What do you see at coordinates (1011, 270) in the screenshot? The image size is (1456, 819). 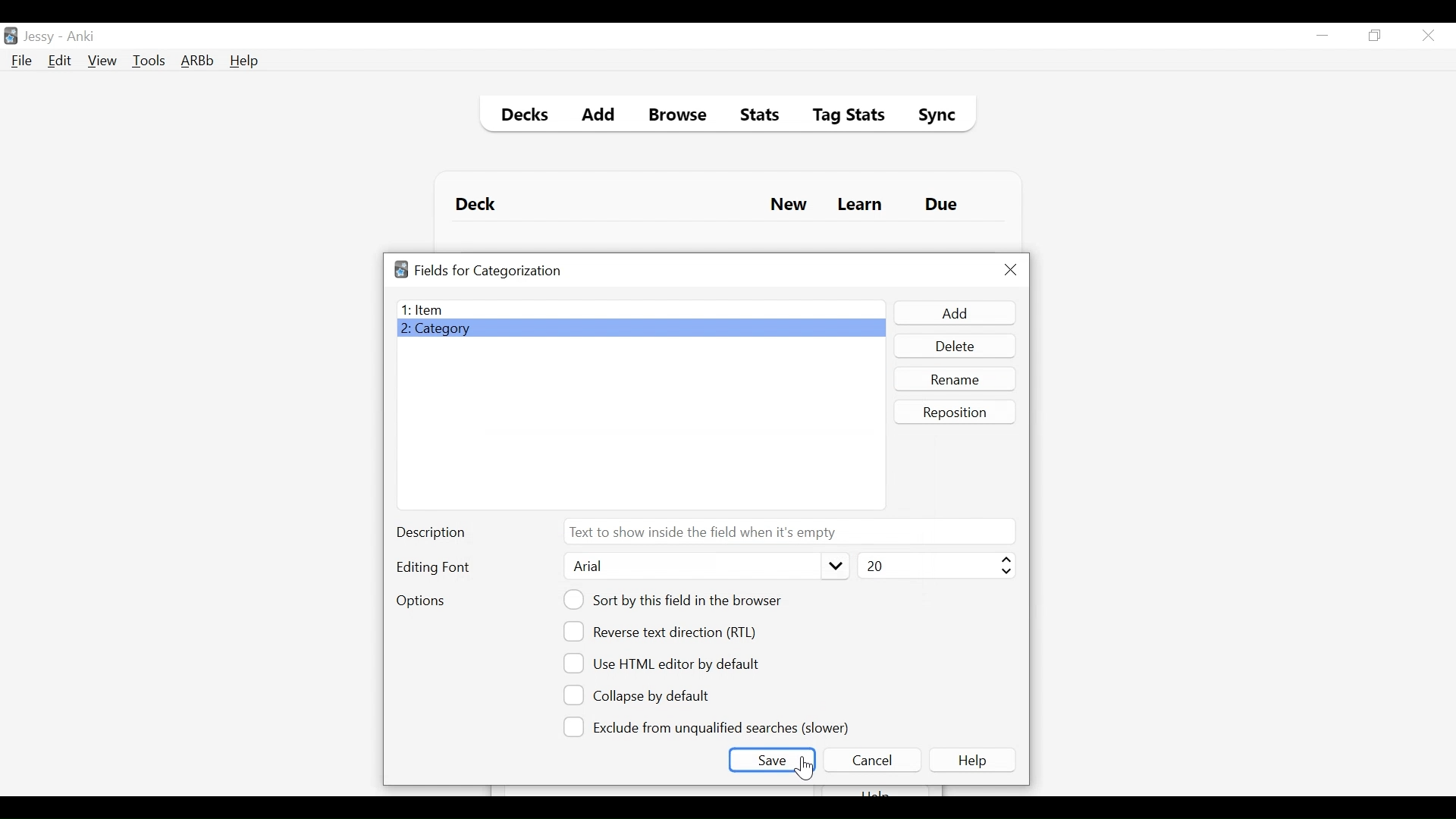 I see `Close` at bounding box center [1011, 270].